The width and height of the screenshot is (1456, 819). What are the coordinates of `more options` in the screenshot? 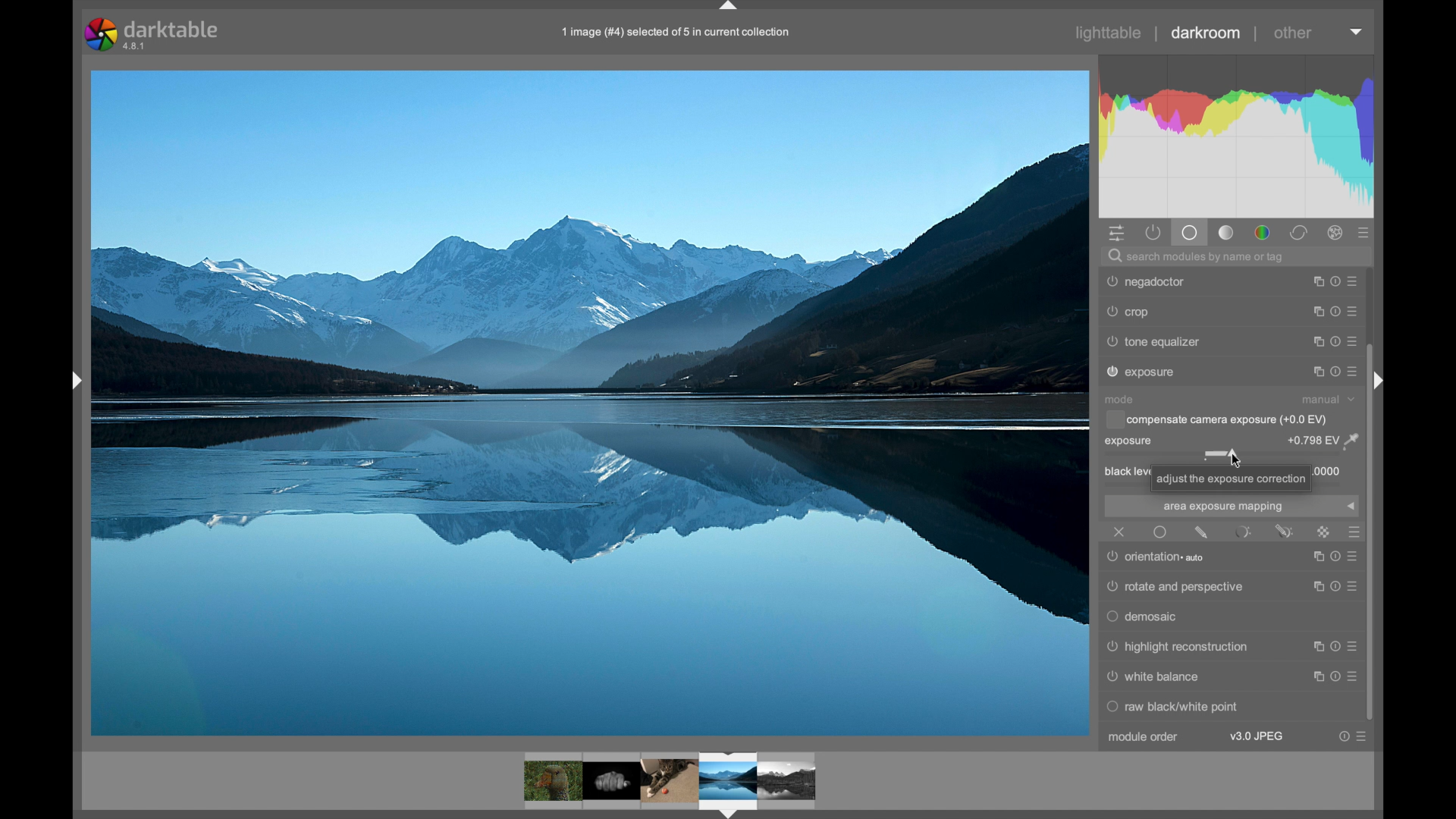 It's located at (1336, 342).